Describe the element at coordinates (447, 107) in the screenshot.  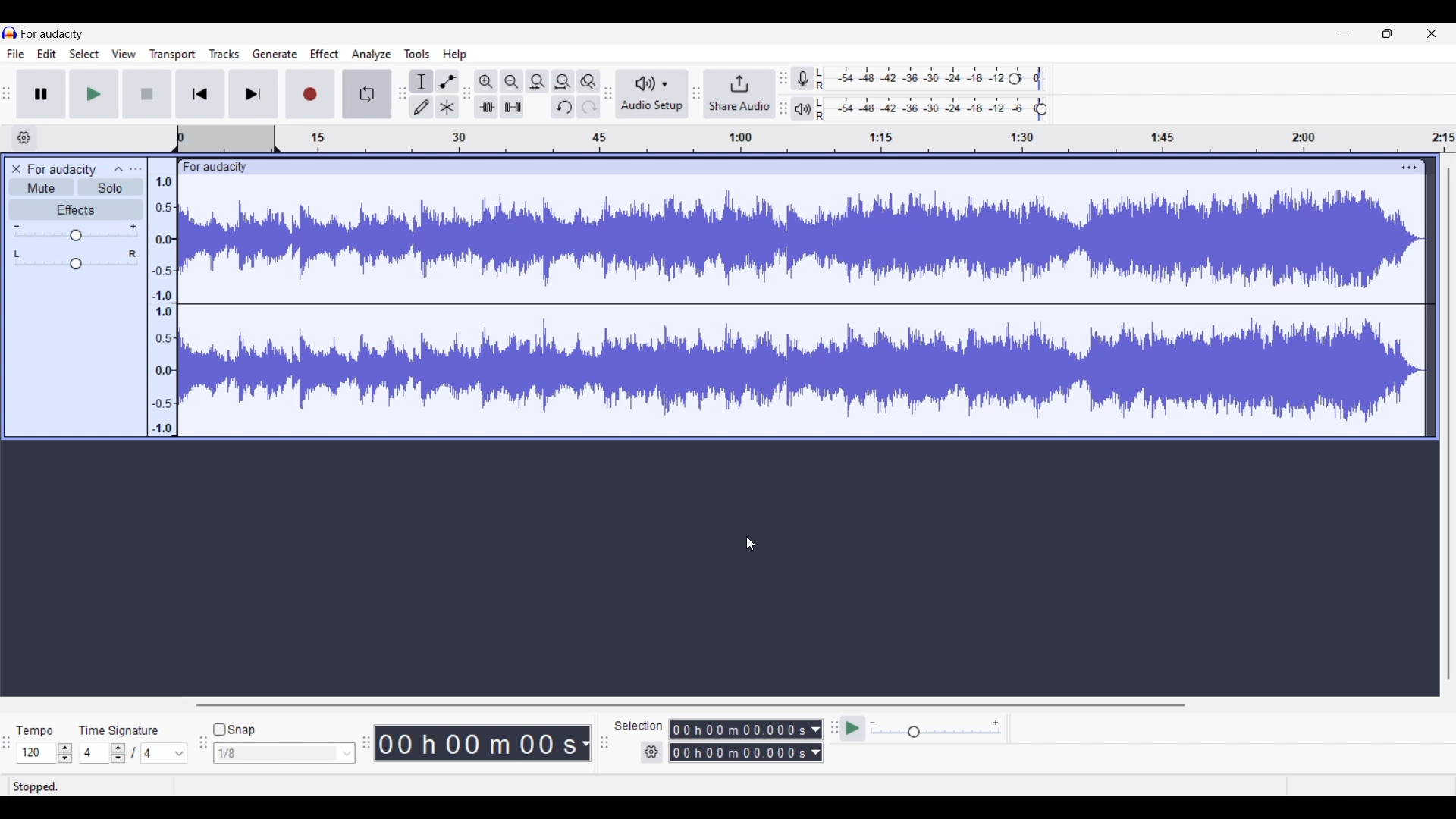
I see `Multi-tool` at that location.